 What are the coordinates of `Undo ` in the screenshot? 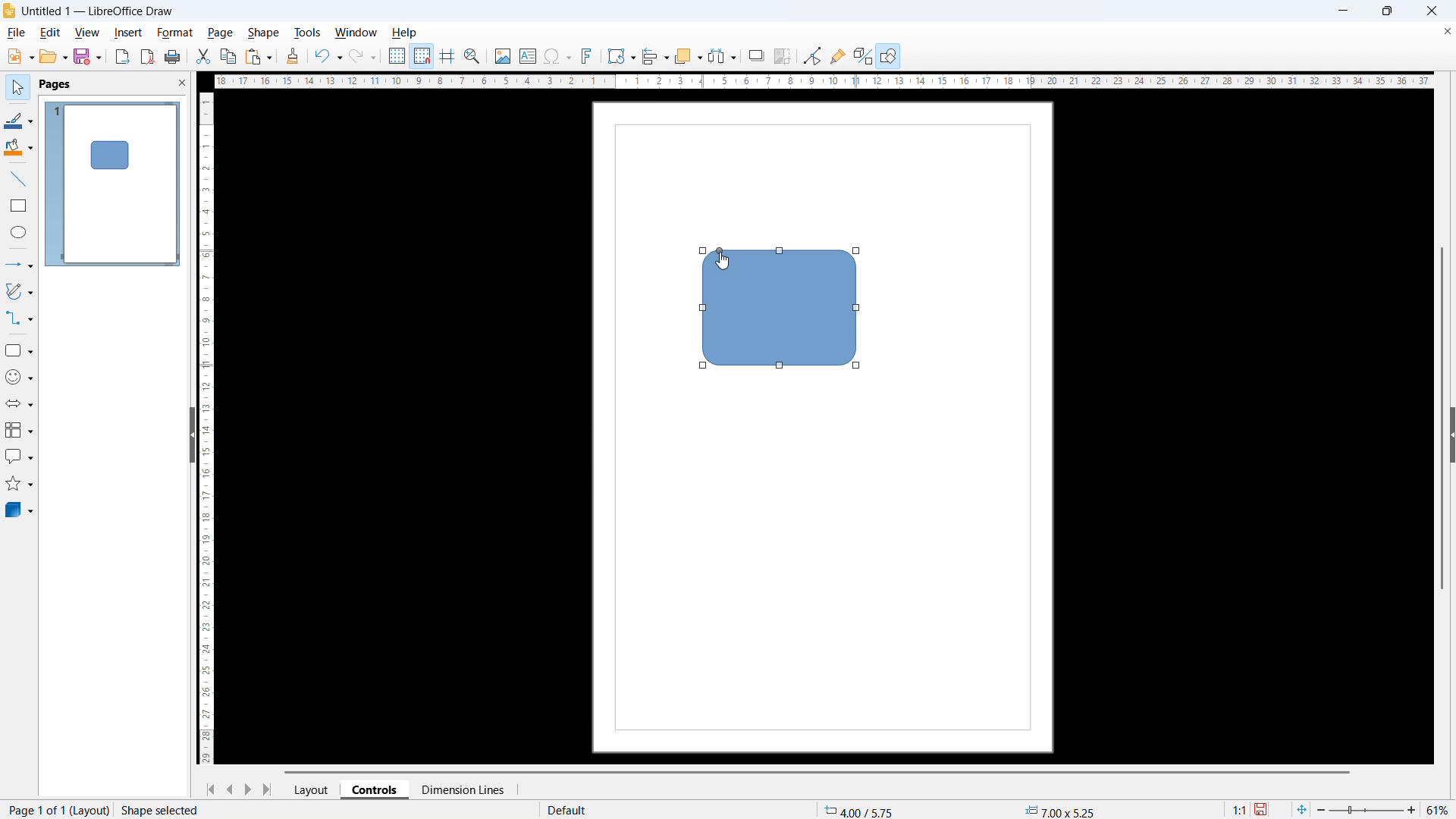 It's located at (328, 57).